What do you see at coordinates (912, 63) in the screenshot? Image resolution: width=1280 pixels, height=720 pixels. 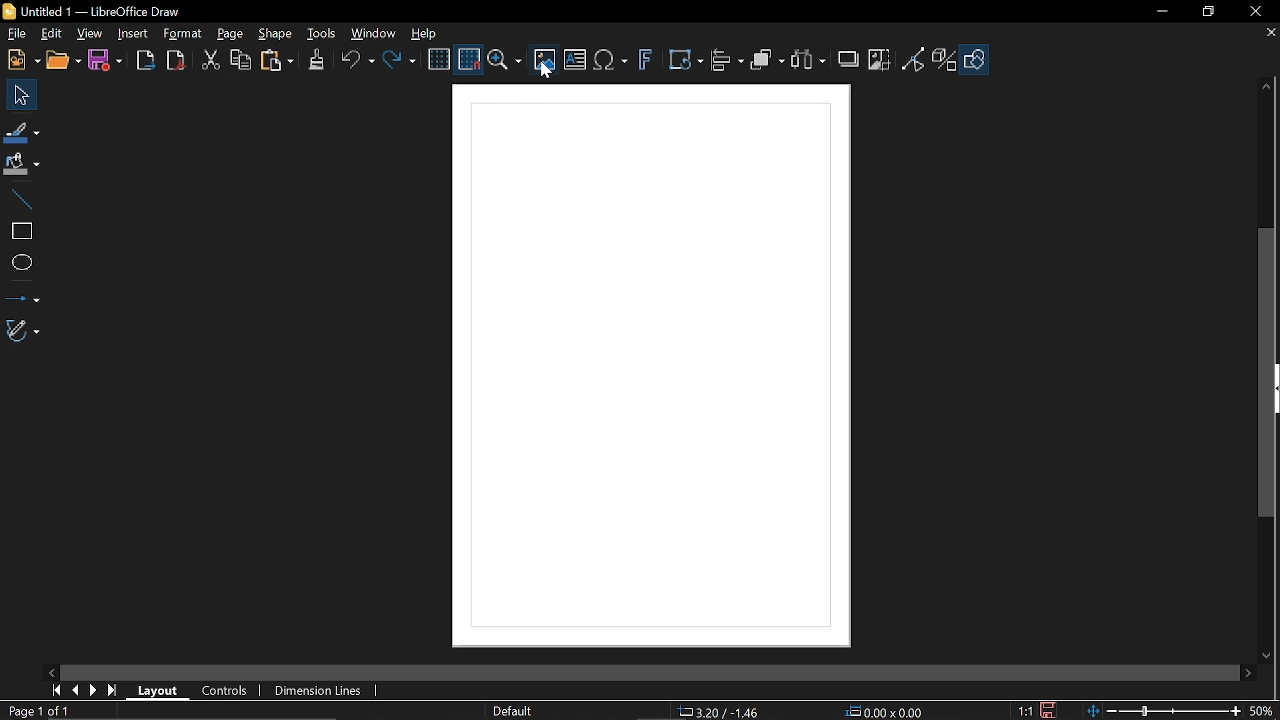 I see `Toggle point edit mode` at bounding box center [912, 63].